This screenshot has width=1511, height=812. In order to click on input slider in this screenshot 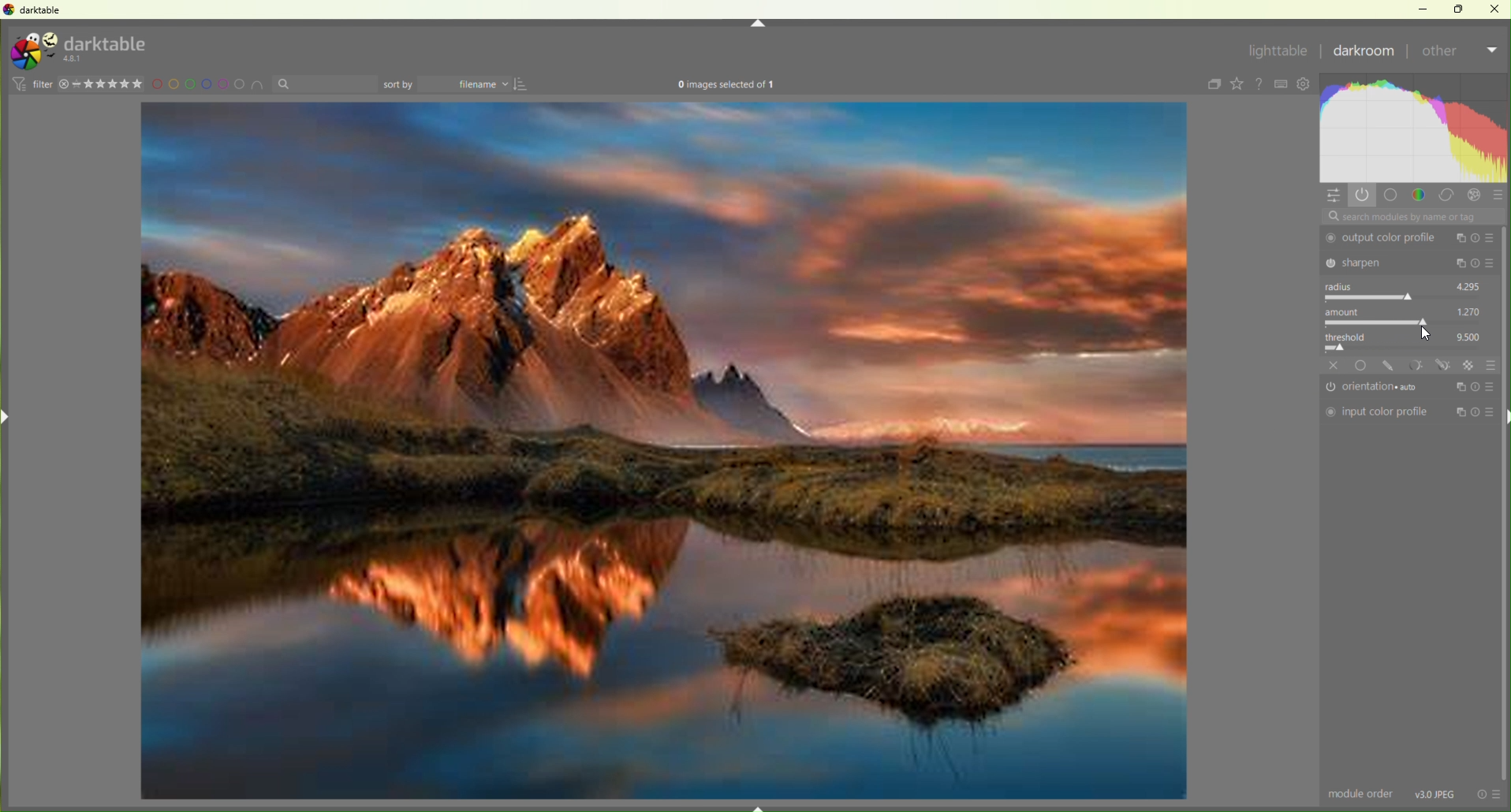, I will do `click(1408, 348)`.